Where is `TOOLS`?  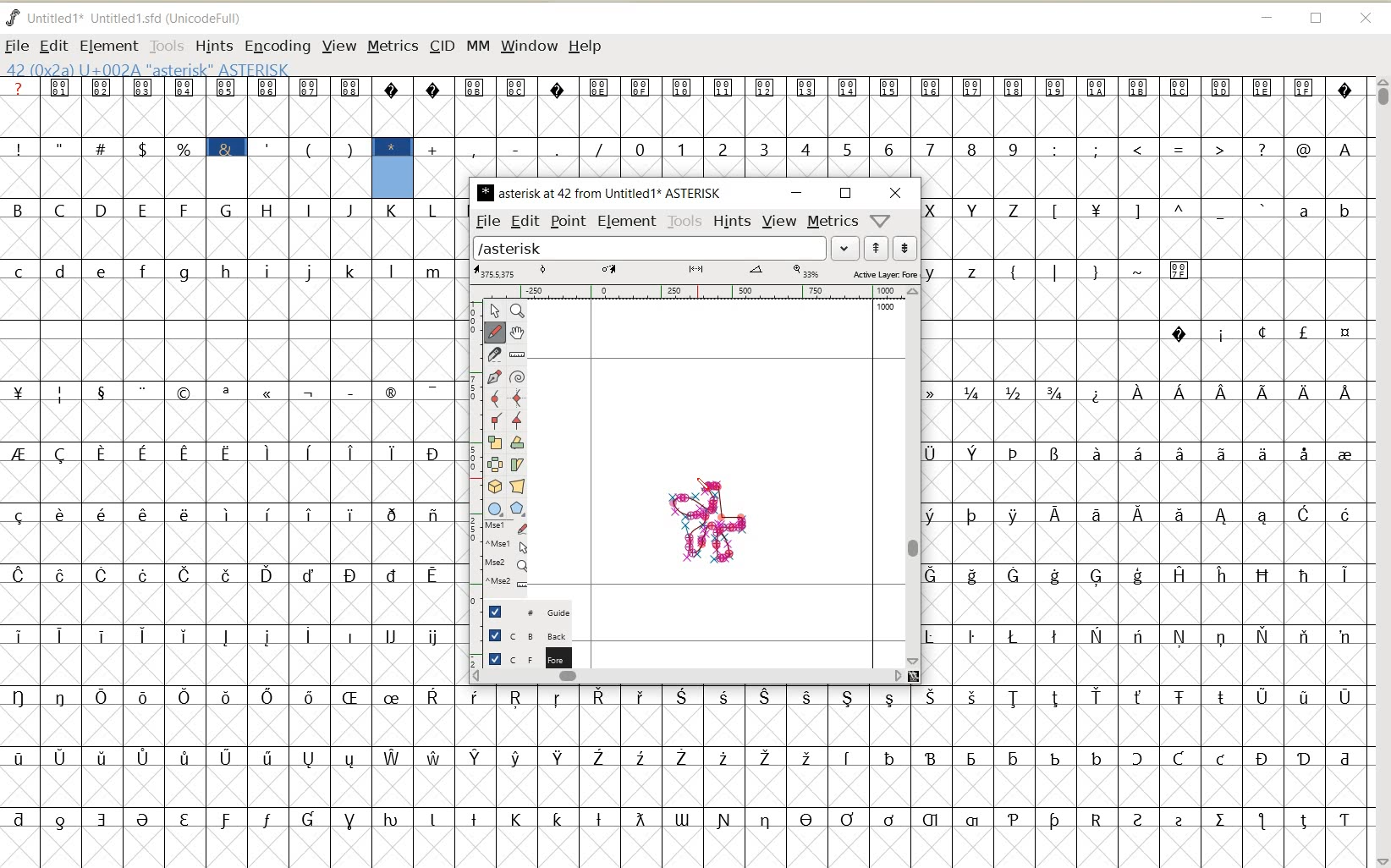
TOOLS is located at coordinates (684, 222).